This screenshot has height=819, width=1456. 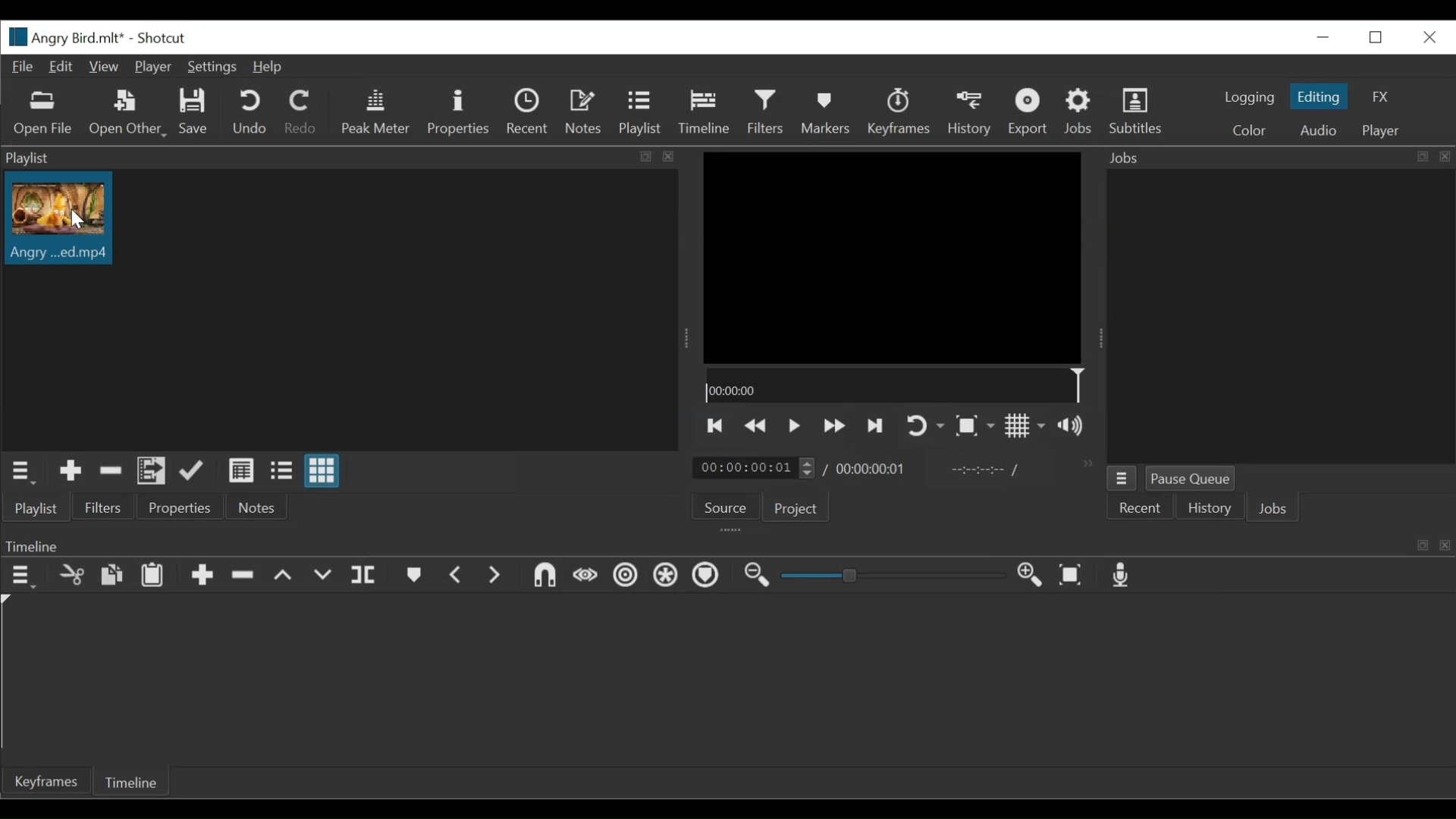 What do you see at coordinates (1031, 575) in the screenshot?
I see `Zoom timeline in` at bounding box center [1031, 575].